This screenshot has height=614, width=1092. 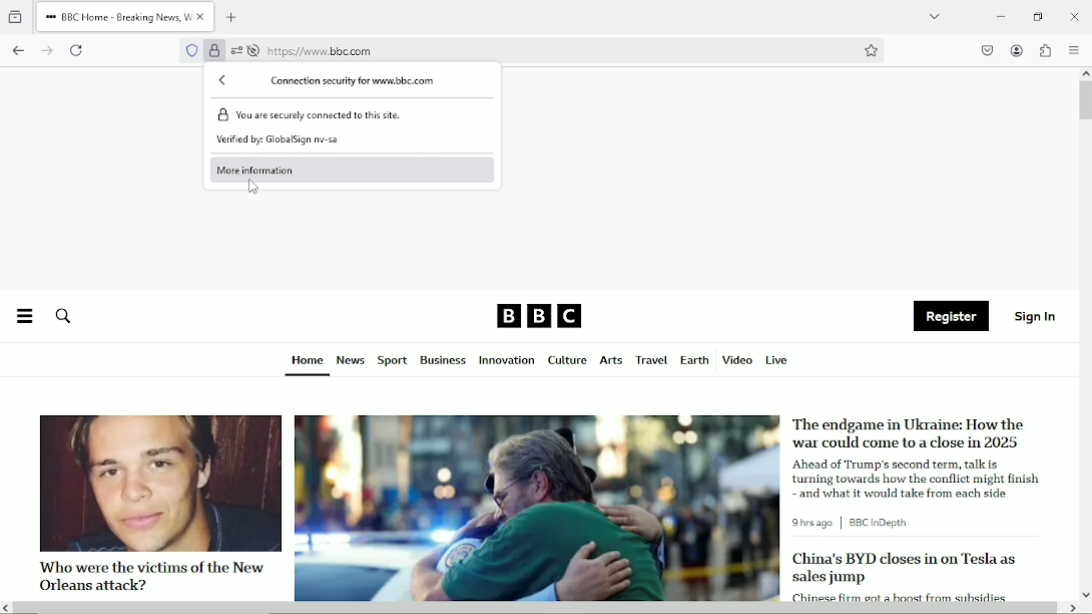 I want to click on go back, so click(x=18, y=49).